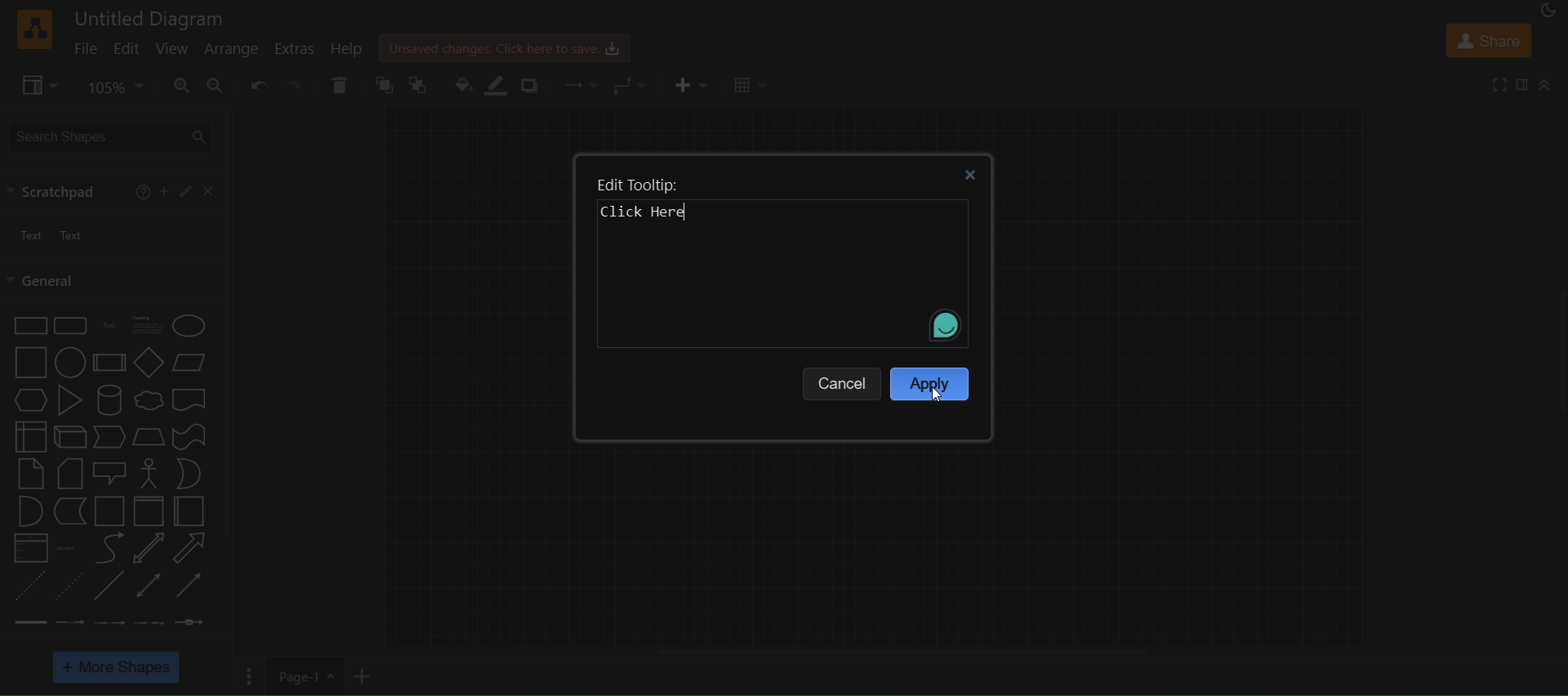 This screenshot has height=696, width=1568. I want to click on cylinder, so click(109, 401).